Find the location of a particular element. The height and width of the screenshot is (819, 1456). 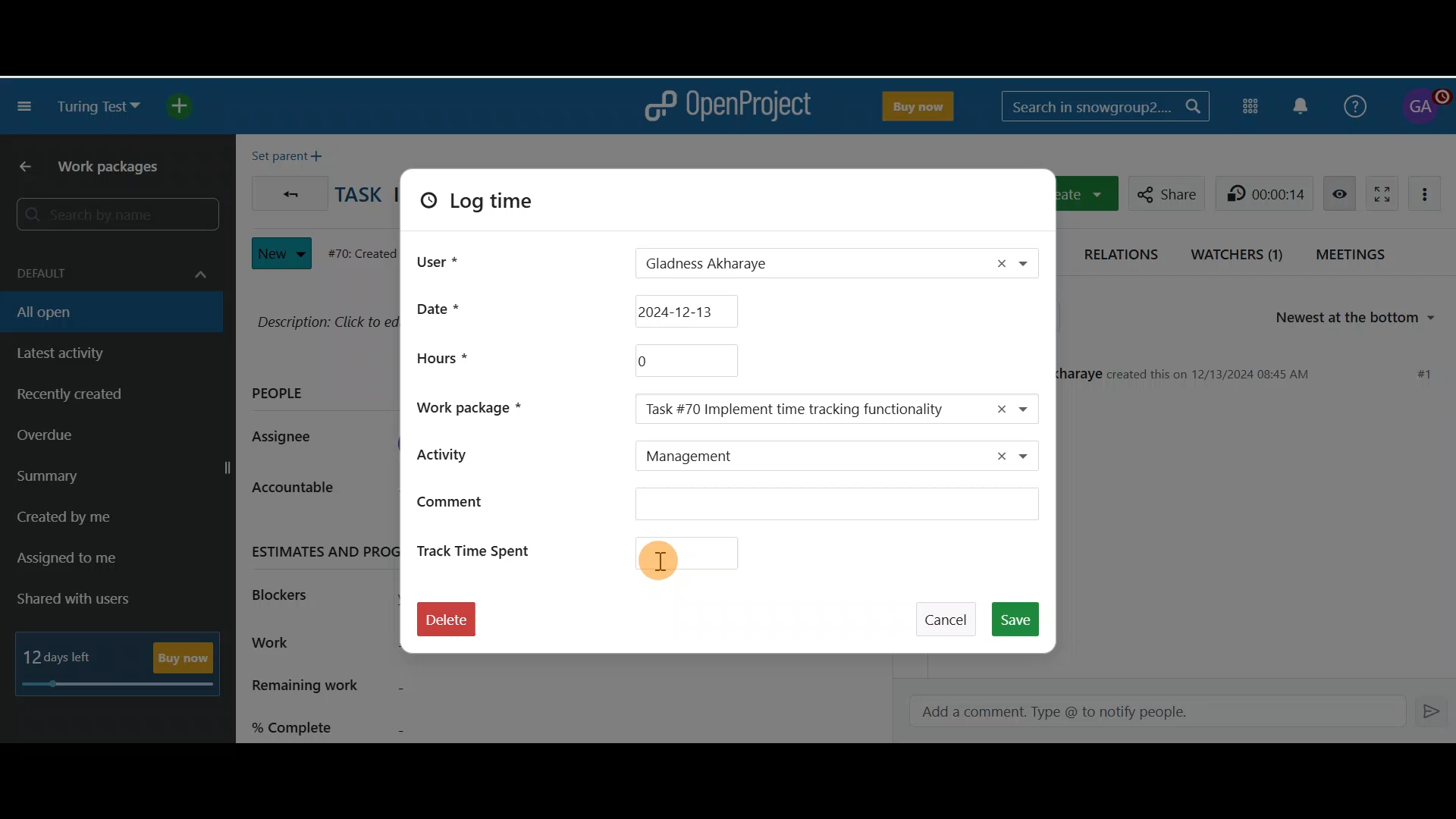

User is located at coordinates (438, 259).